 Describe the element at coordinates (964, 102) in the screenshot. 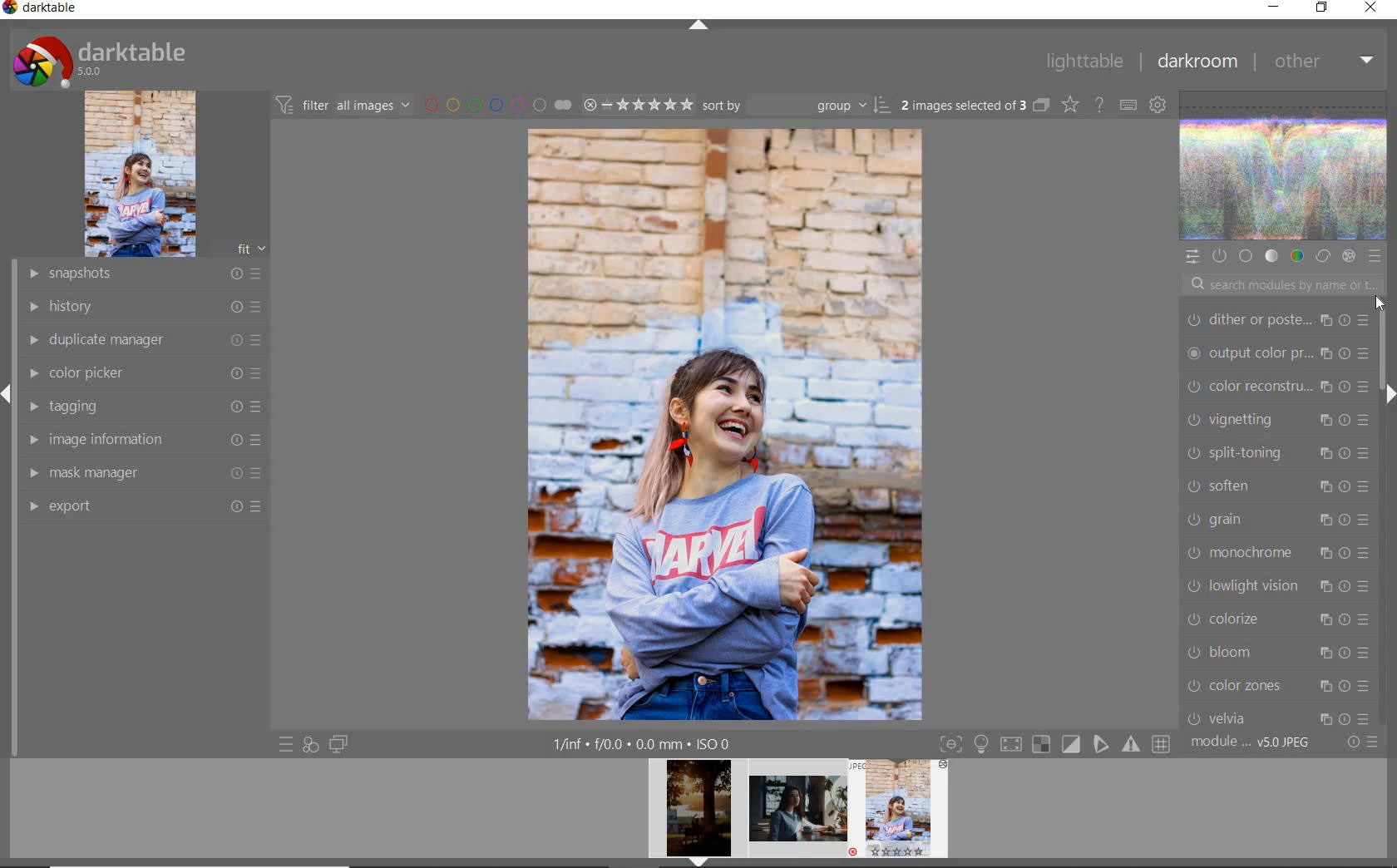

I see `SELECTED IMAGES` at that location.